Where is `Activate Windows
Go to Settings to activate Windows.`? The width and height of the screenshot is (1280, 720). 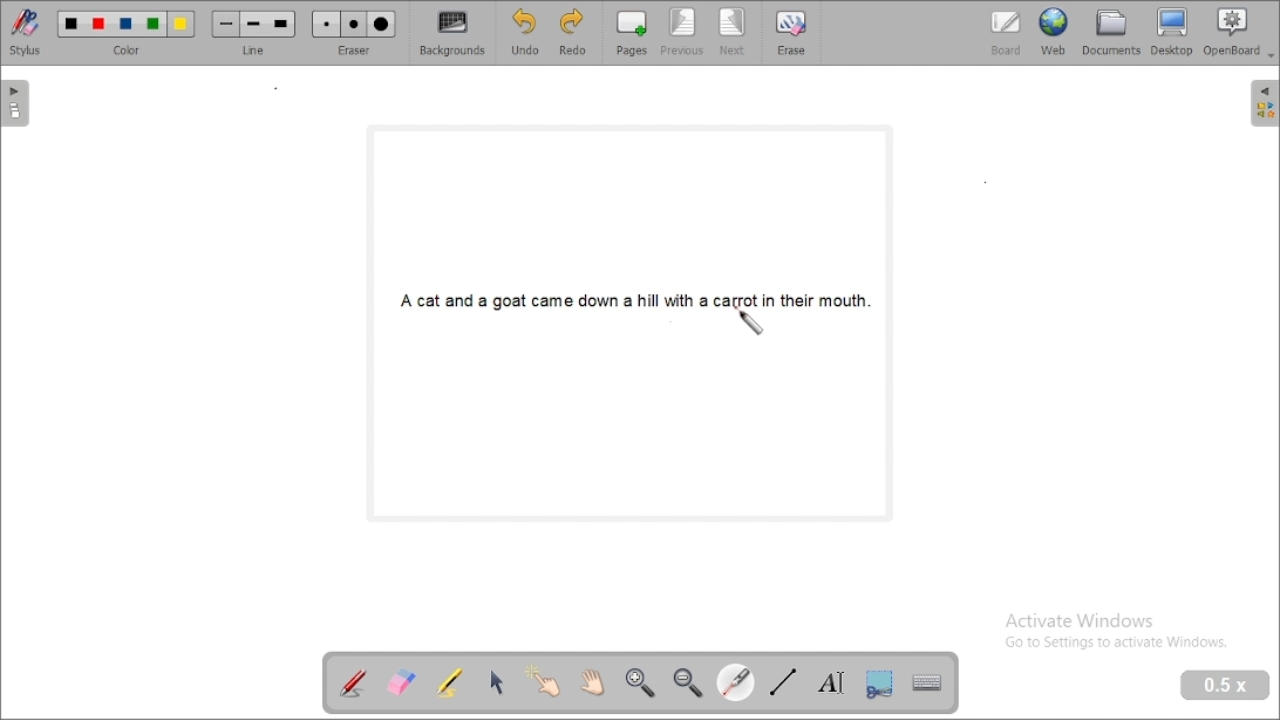
Activate Windows
Go to Settings to activate Windows. is located at coordinates (1118, 633).